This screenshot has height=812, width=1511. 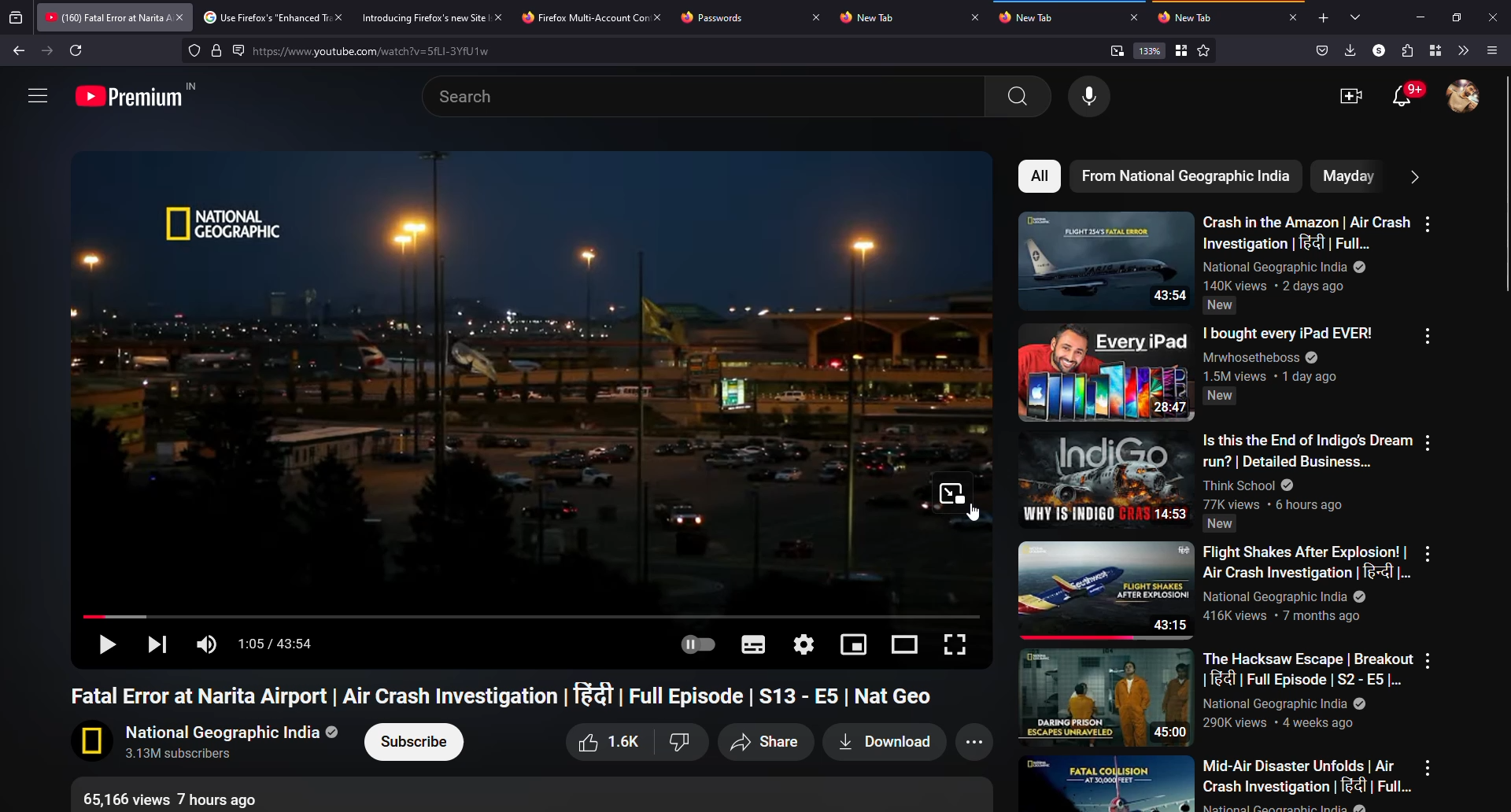 I want to click on download, so click(x=881, y=743).